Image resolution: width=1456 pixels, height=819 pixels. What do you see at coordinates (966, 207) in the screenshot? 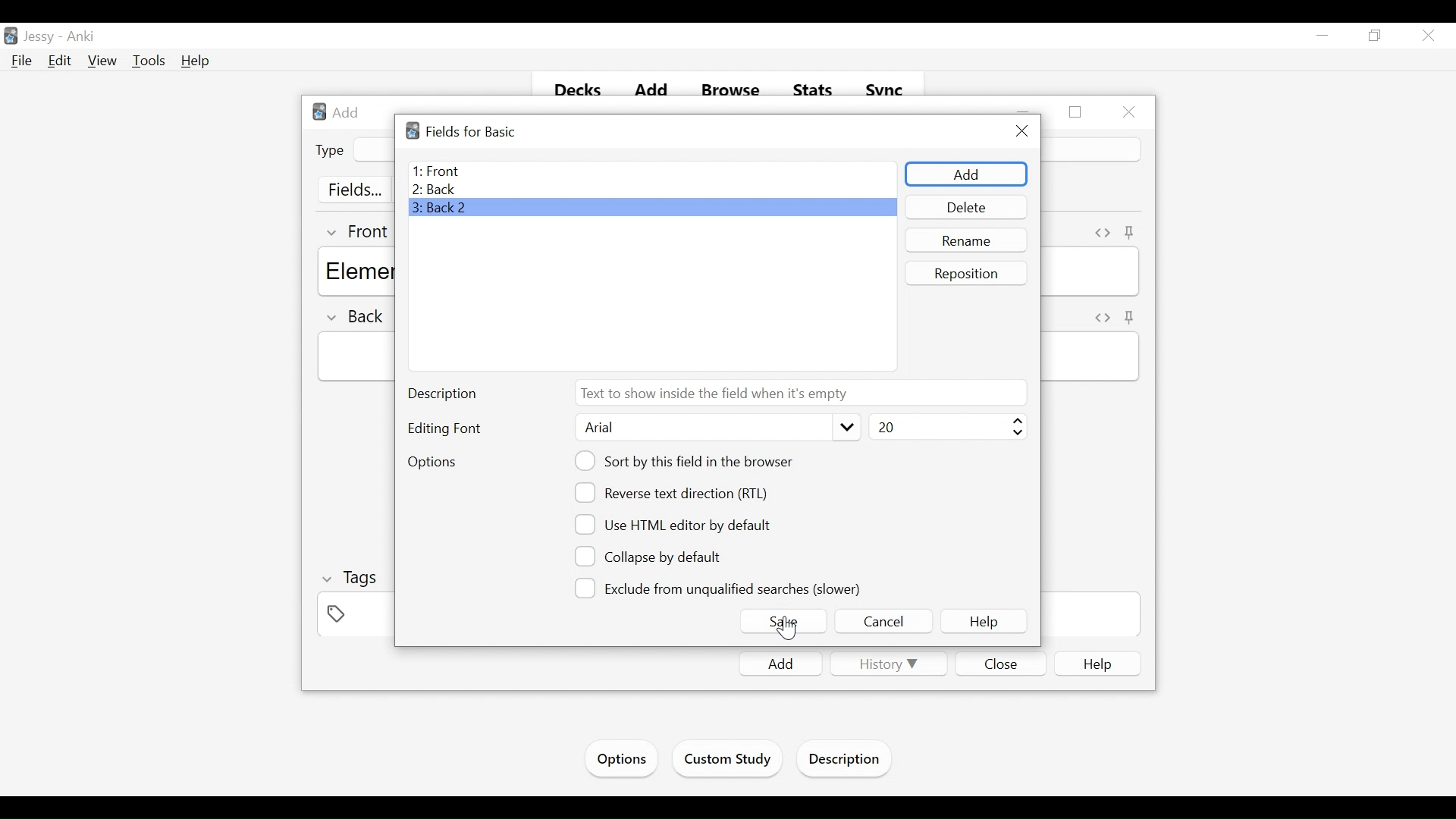
I see `Delete` at bounding box center [966, 207].